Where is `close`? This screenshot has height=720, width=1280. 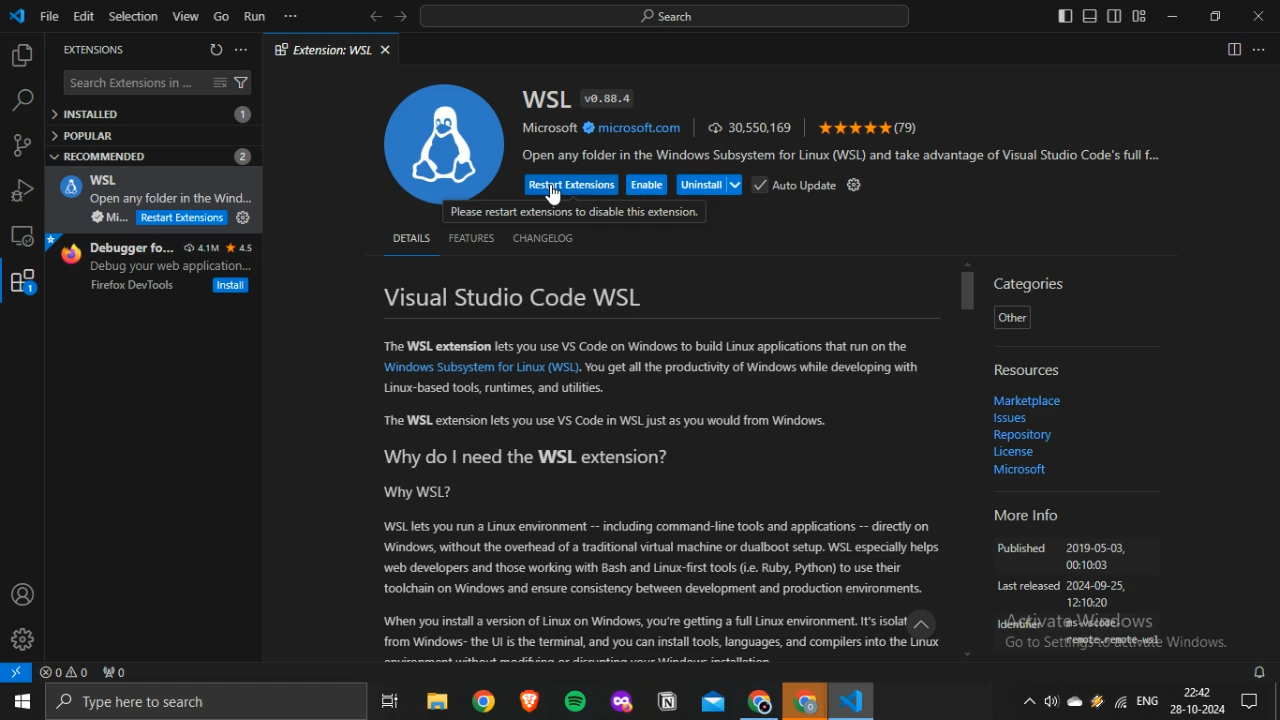
close is located at coordinates (1258, 16).